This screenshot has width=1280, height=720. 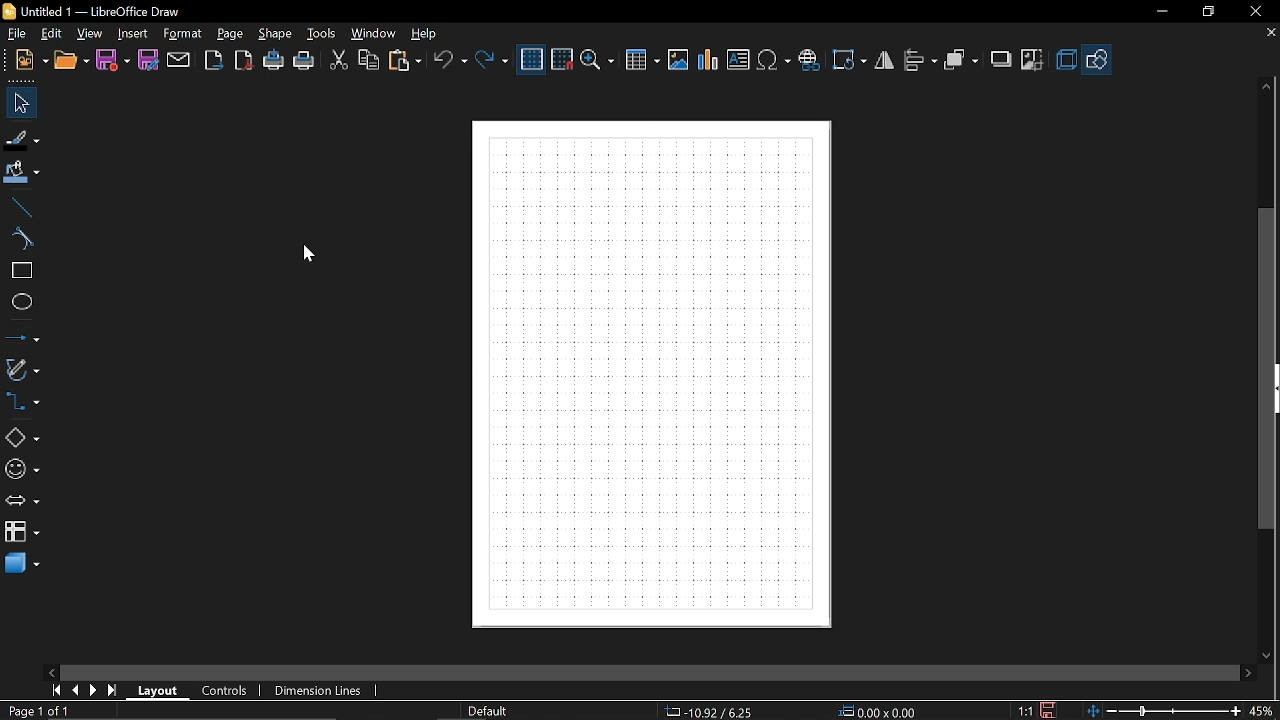 I want to click on Fill line, so click(x=22, y=139).